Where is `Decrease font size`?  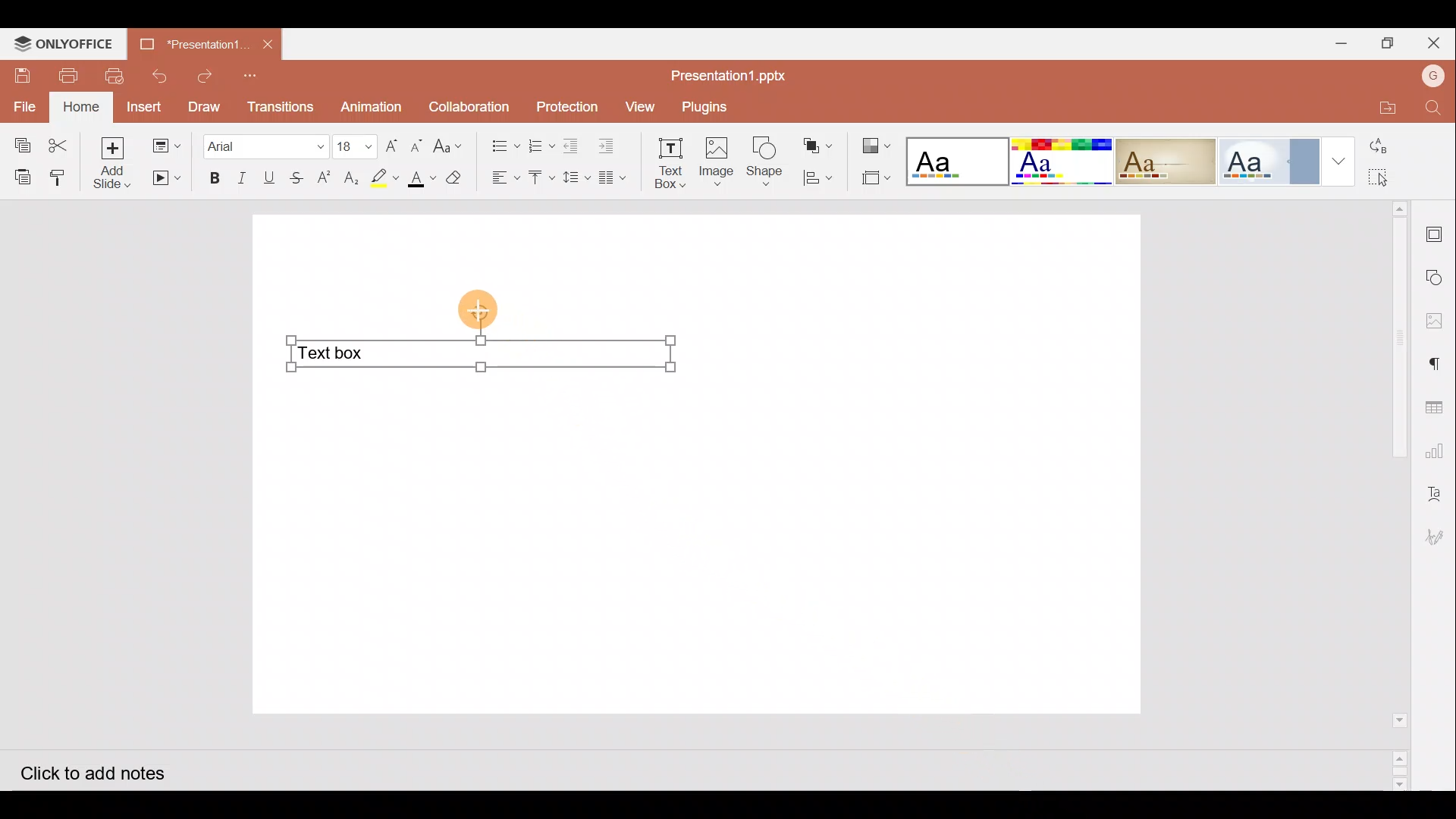 Decrease font size is located at coordinates (416, 144).